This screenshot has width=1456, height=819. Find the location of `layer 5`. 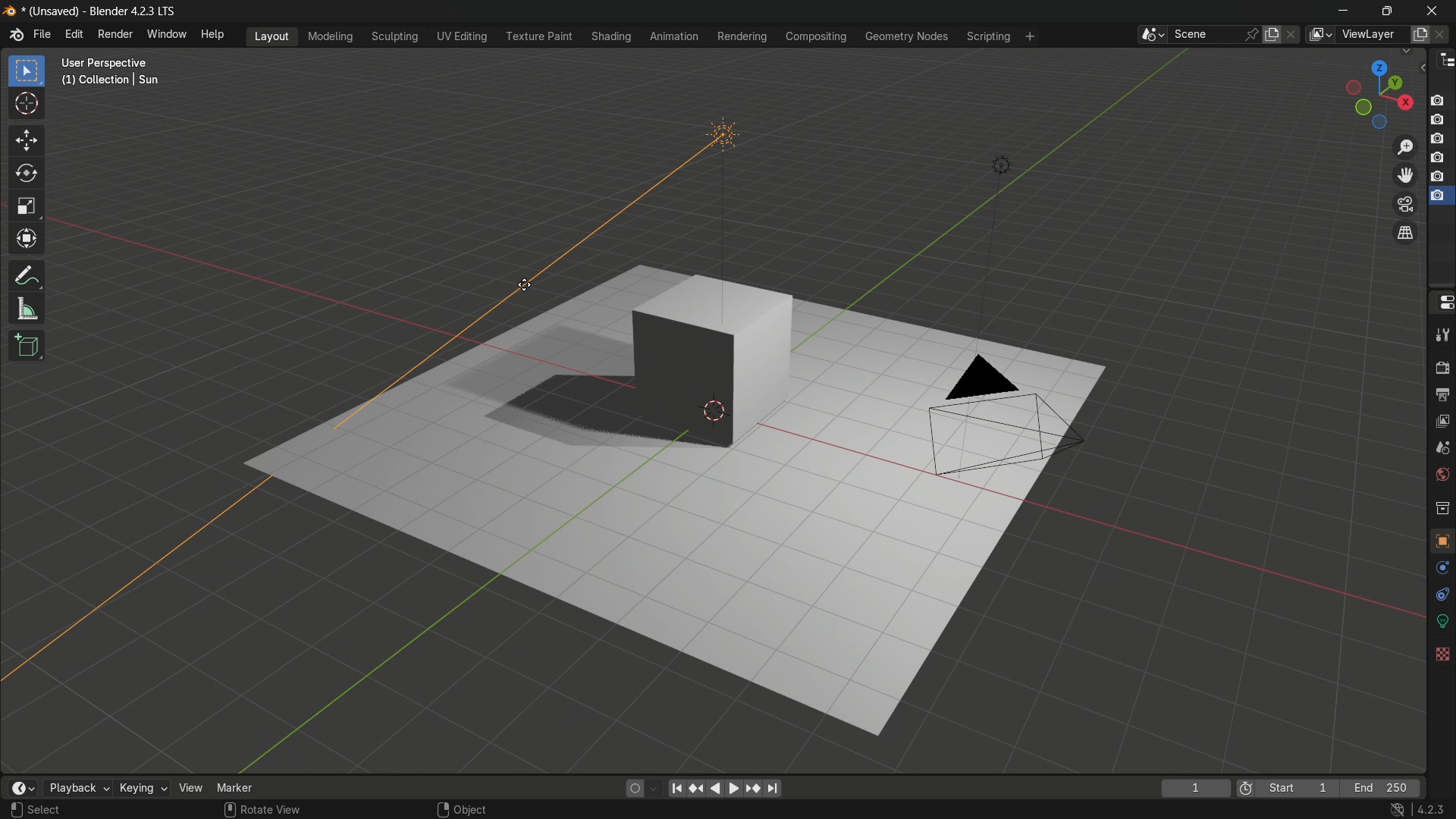

layer 5 is located at coordinates (1437, 177).